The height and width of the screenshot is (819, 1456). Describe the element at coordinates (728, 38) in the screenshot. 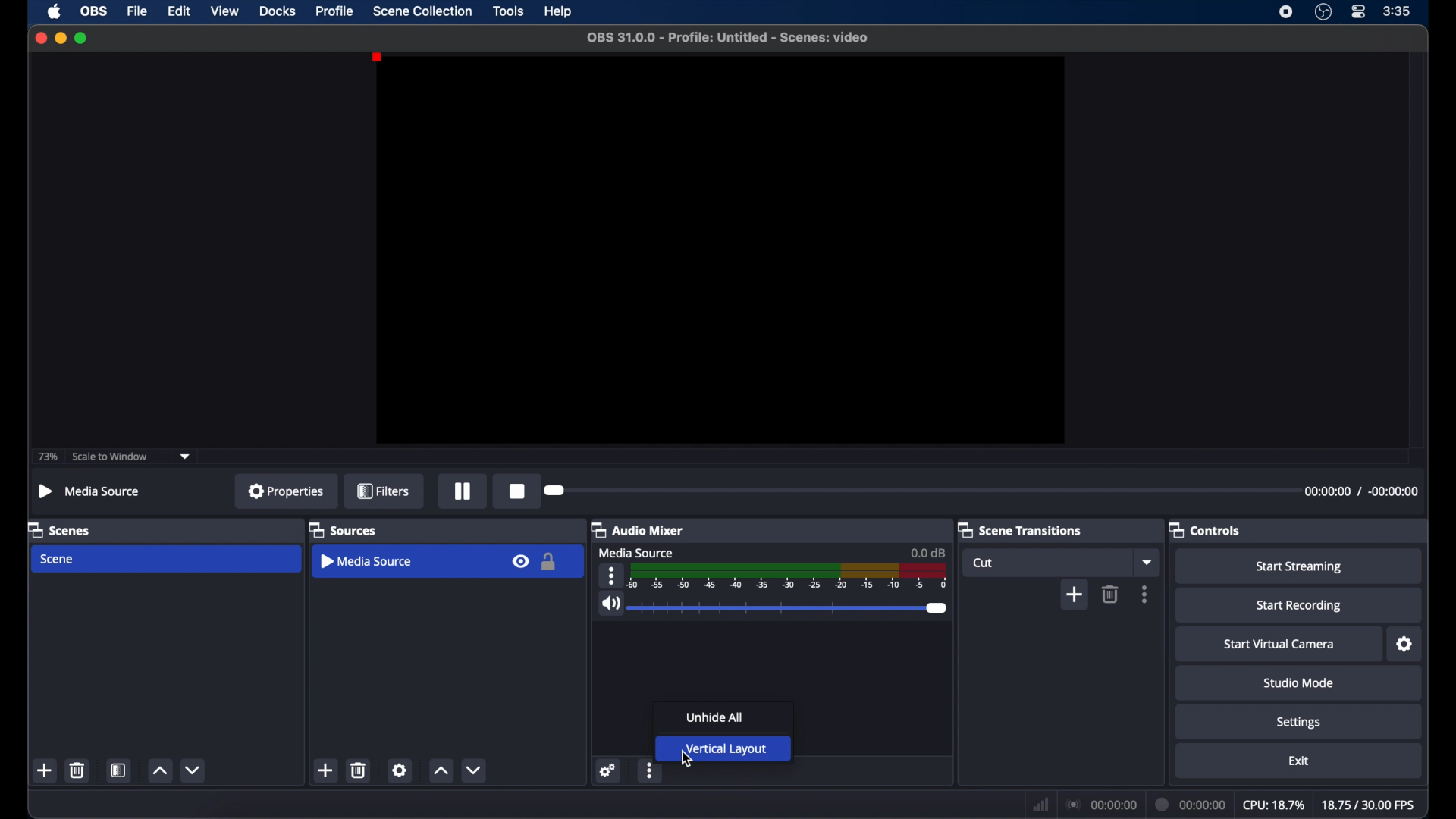

I see `file name` at that location.